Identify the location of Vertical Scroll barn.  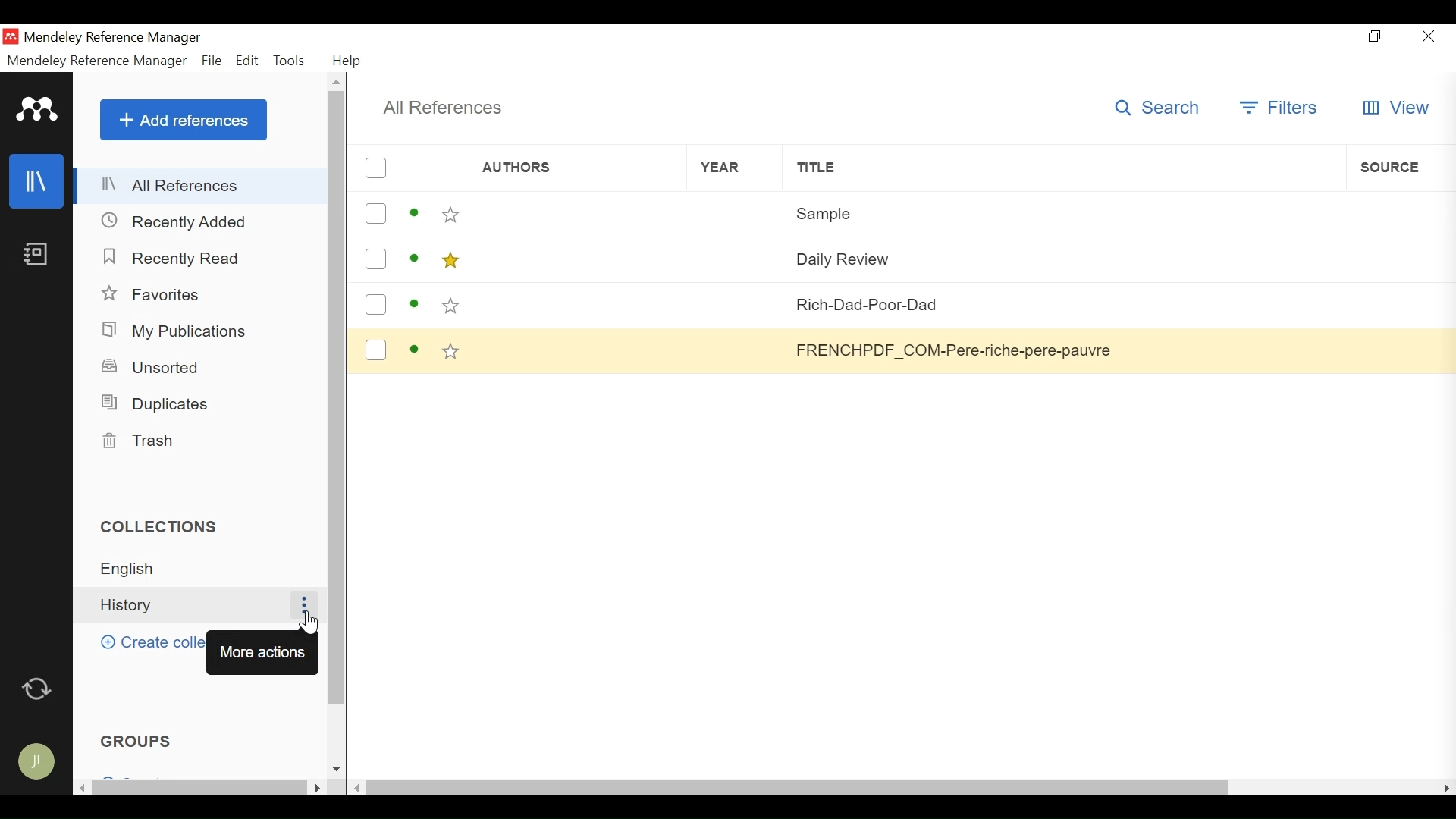
(336, 416).